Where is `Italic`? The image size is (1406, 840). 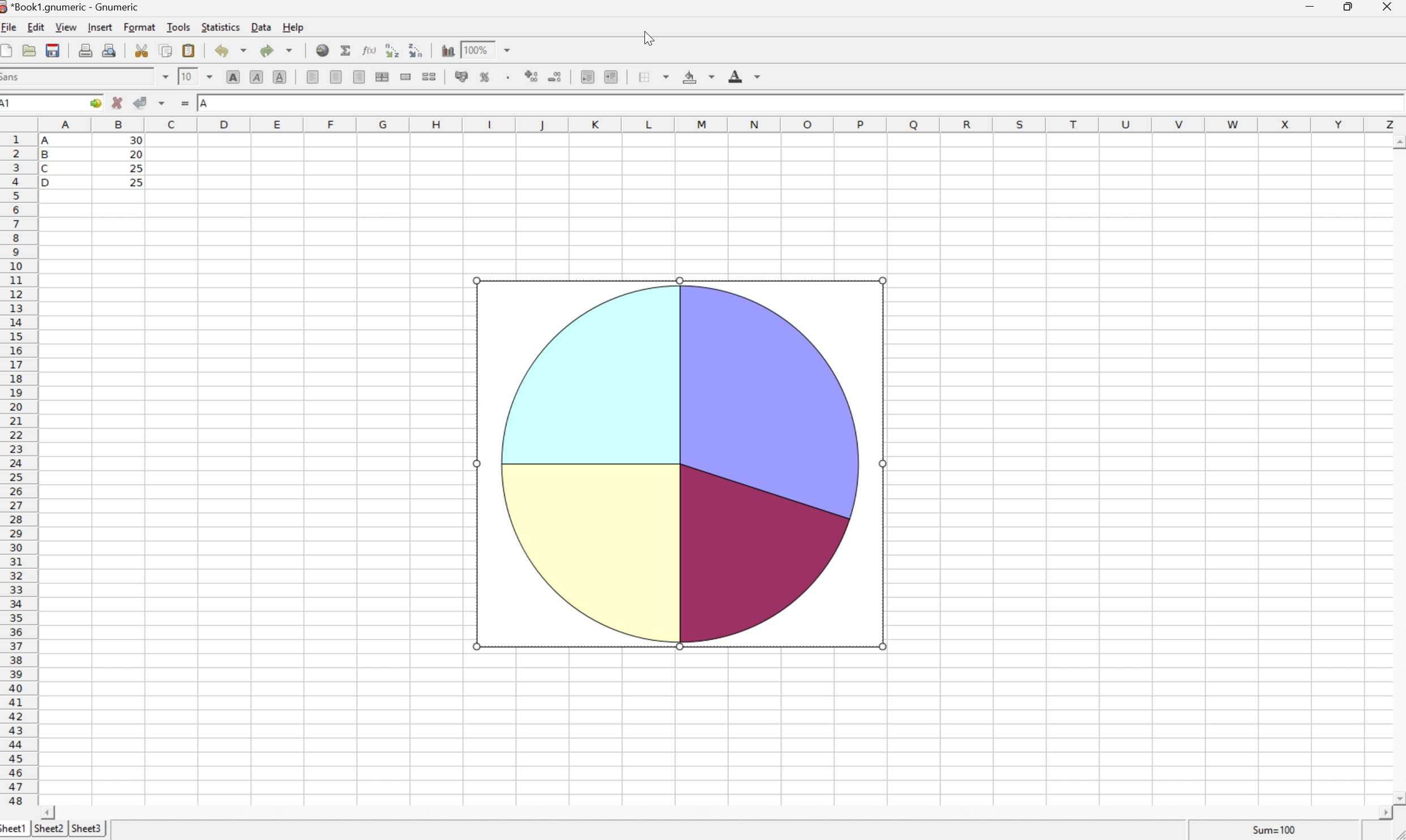 Italic is located at coordinates (257, 76).